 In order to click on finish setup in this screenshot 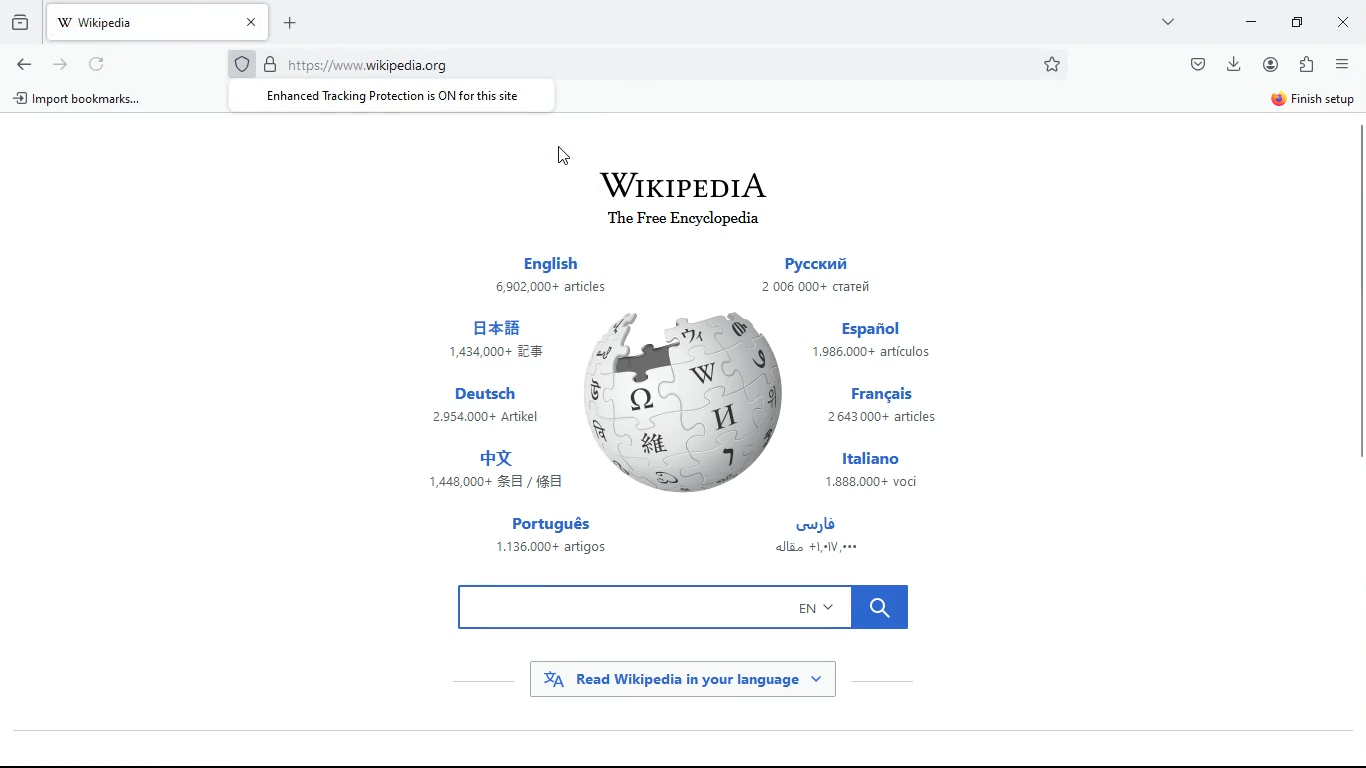, I will do `click(1316, 98)`.